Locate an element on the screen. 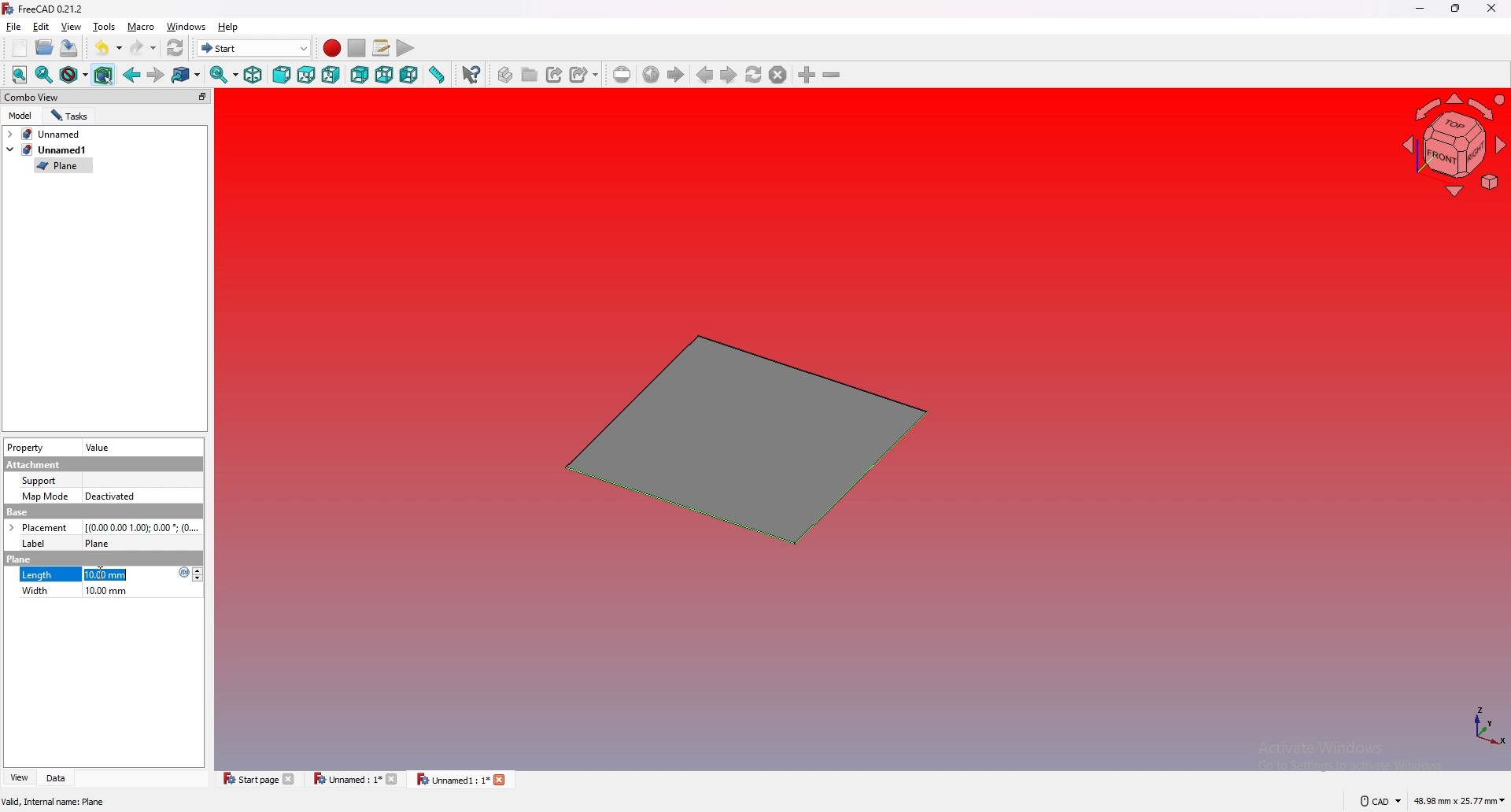 This screenshot has width=1511, height=812. macro is located at coordinates (142, 26).